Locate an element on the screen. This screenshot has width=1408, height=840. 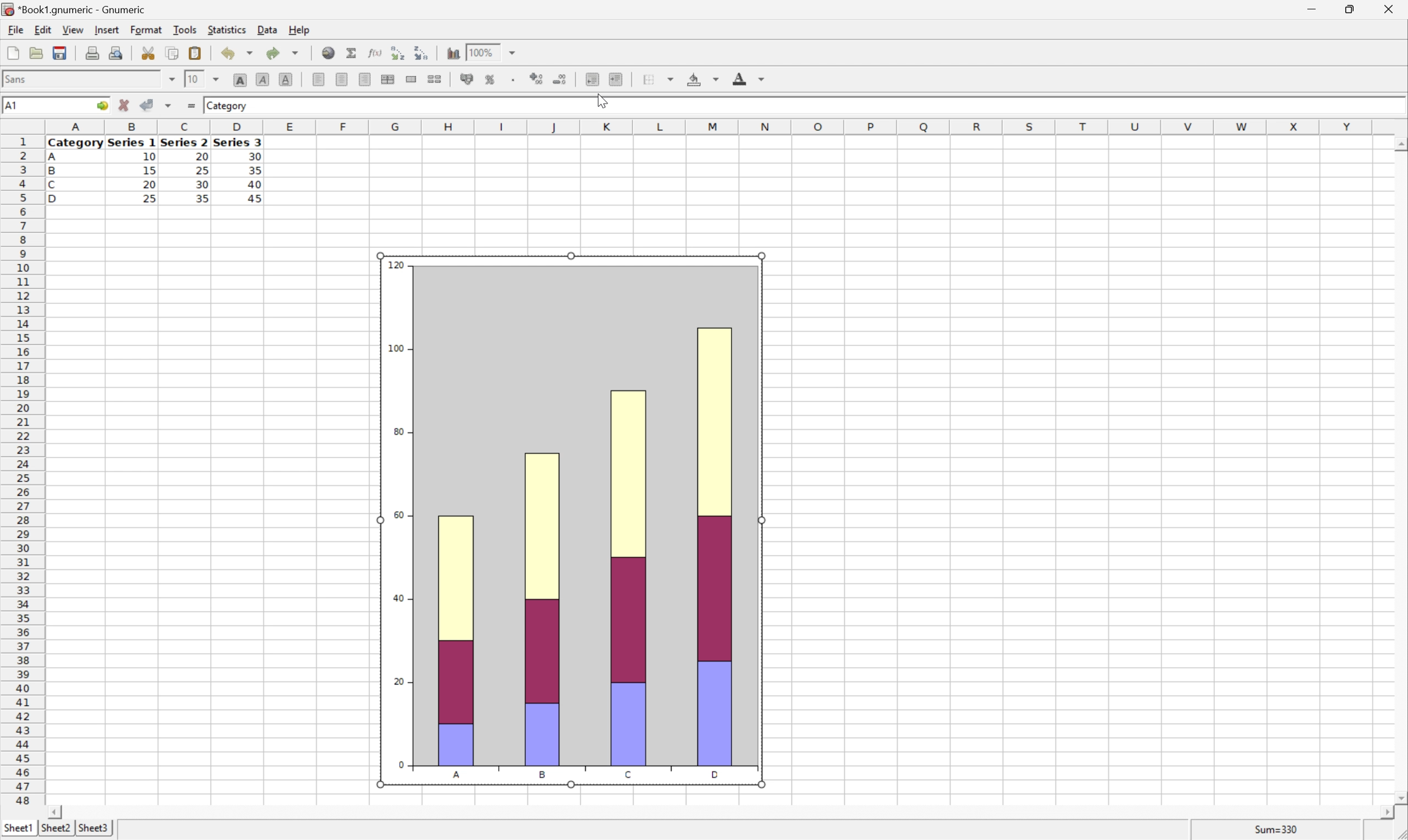
Row numbers is located at coordinates (21, 470).